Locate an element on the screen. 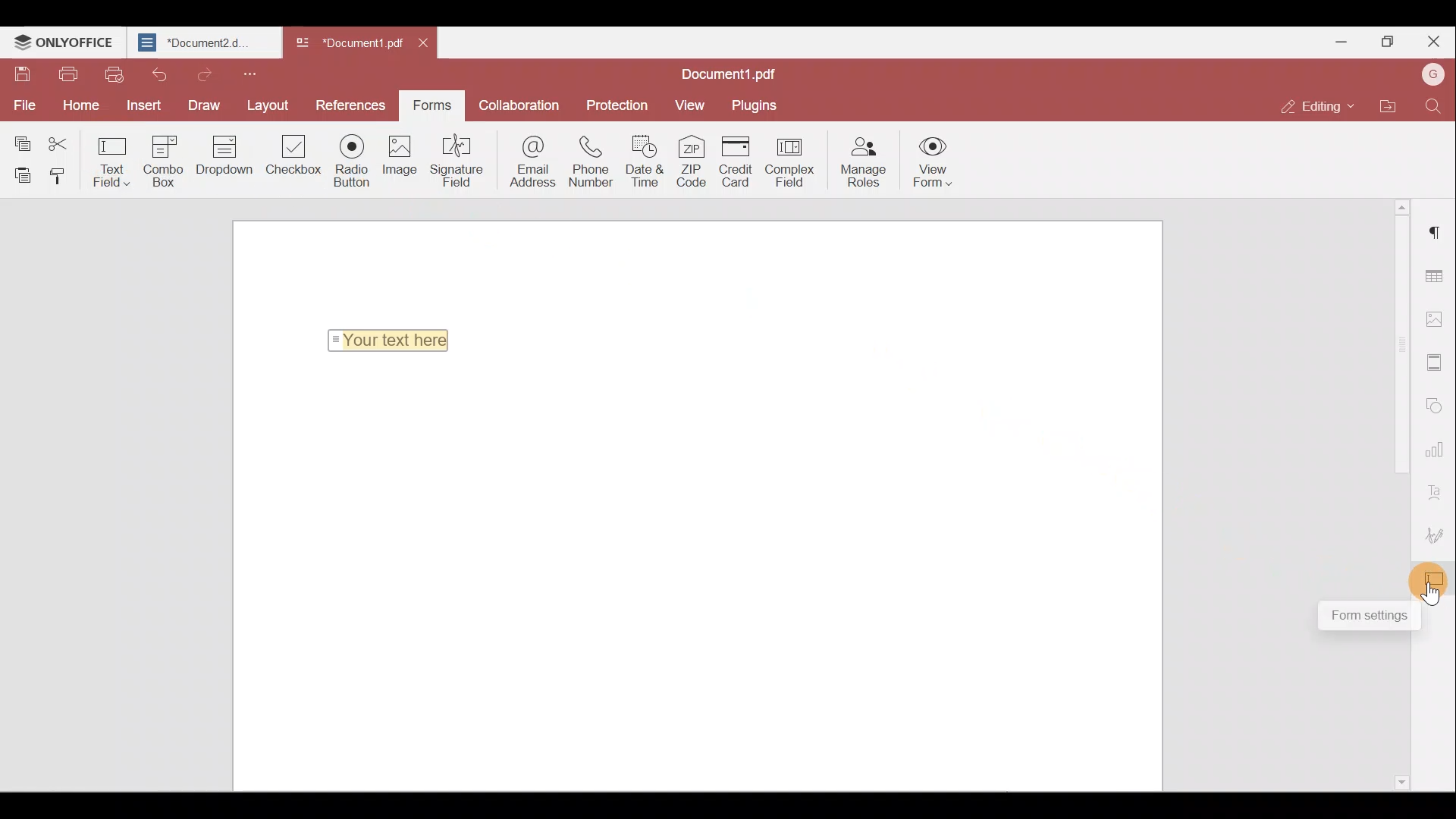  Check box is located at coordinates (292, 156).